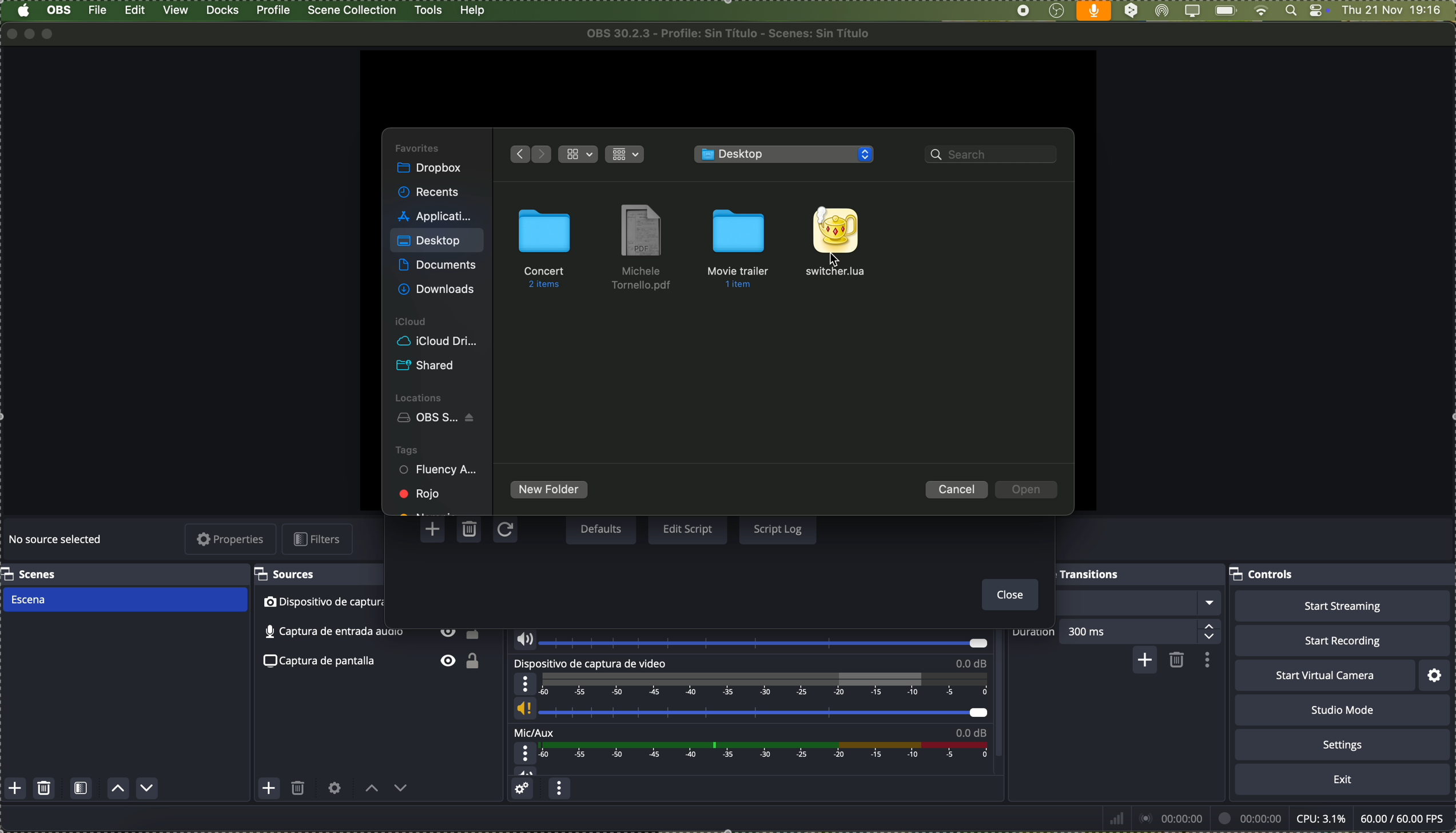 The image size is (1456, 833). Describe the element at coordinates (733, 33) in the screenshot. I see `file name` at that location.